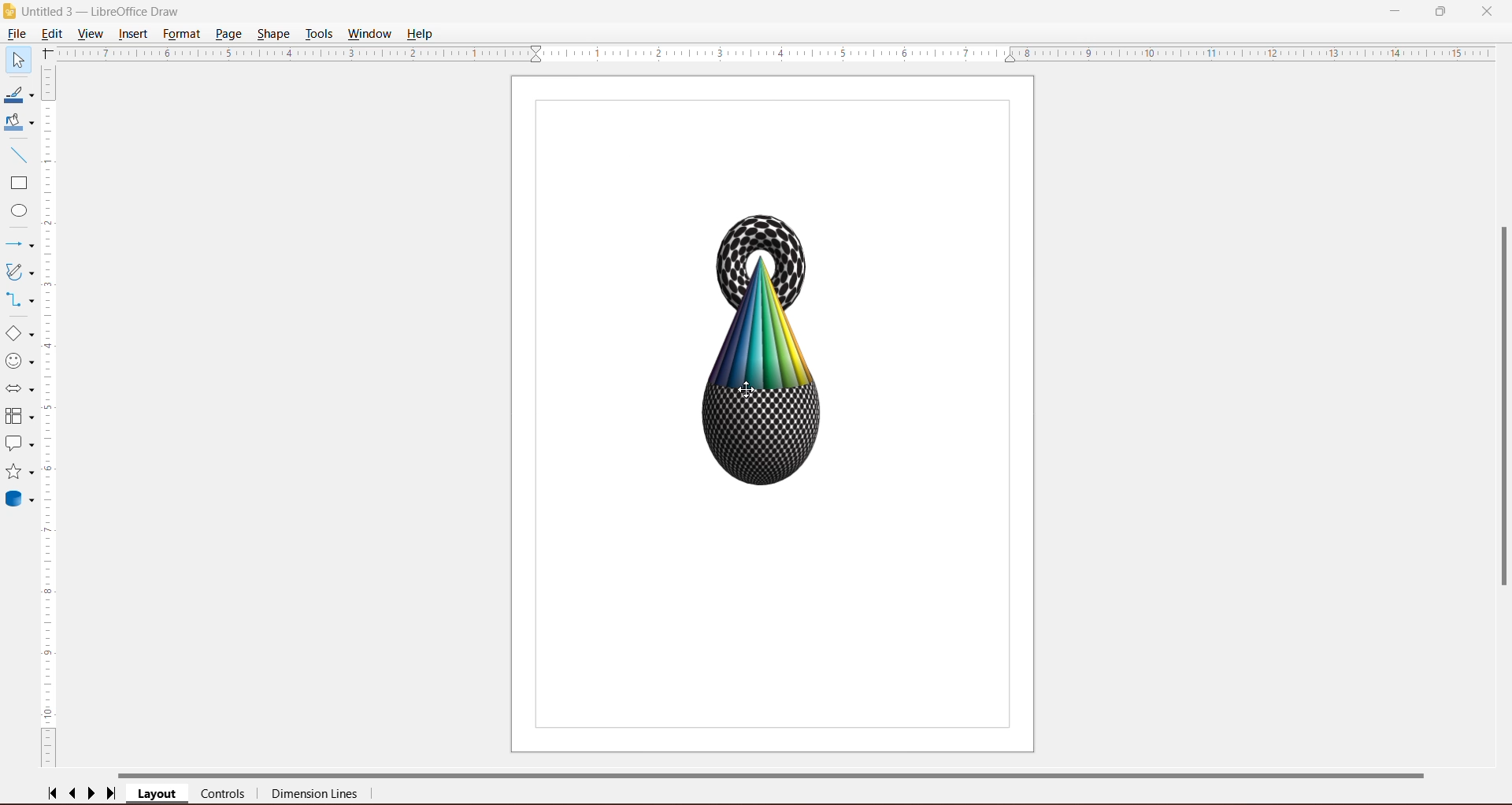 The image size is (1512, 805). I want to click on 3D Objects, so click(22, 501).